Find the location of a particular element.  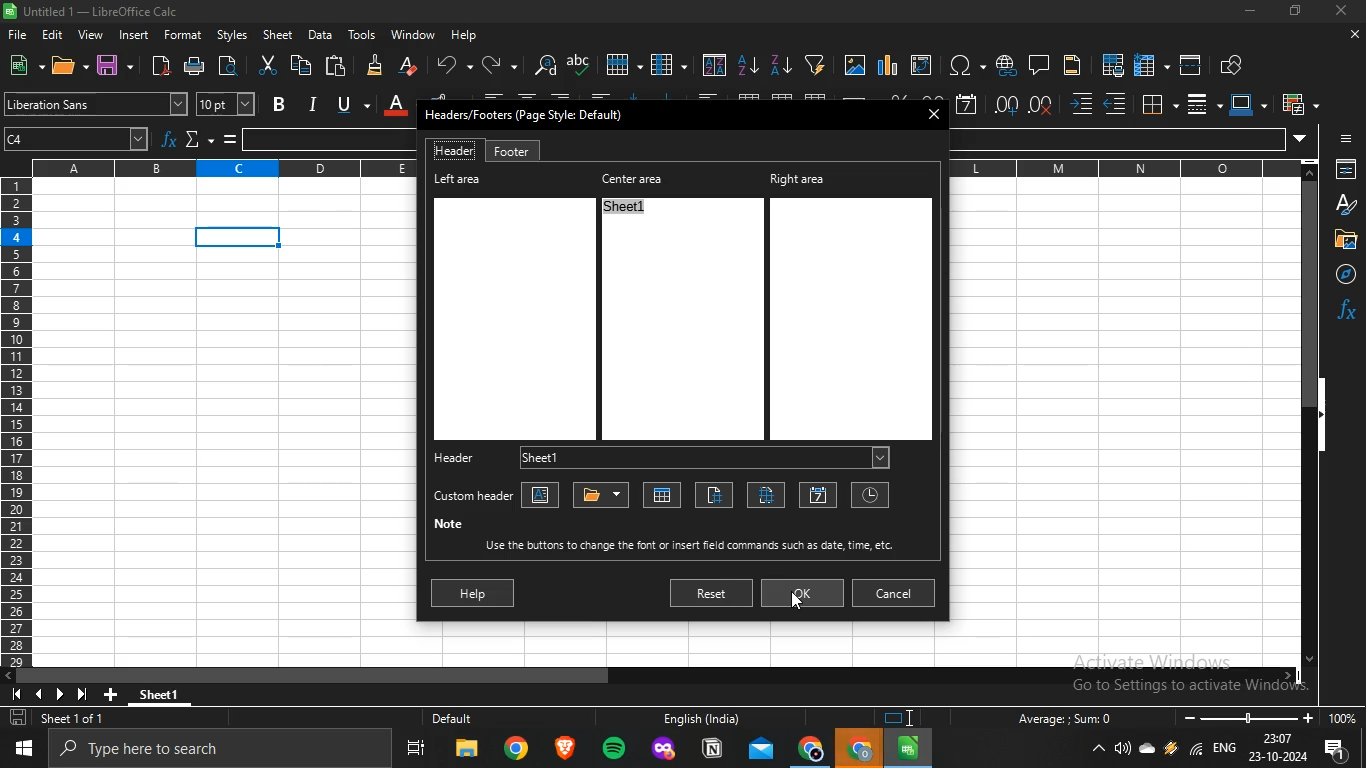

conditional is located at coordinates (1296, 104).